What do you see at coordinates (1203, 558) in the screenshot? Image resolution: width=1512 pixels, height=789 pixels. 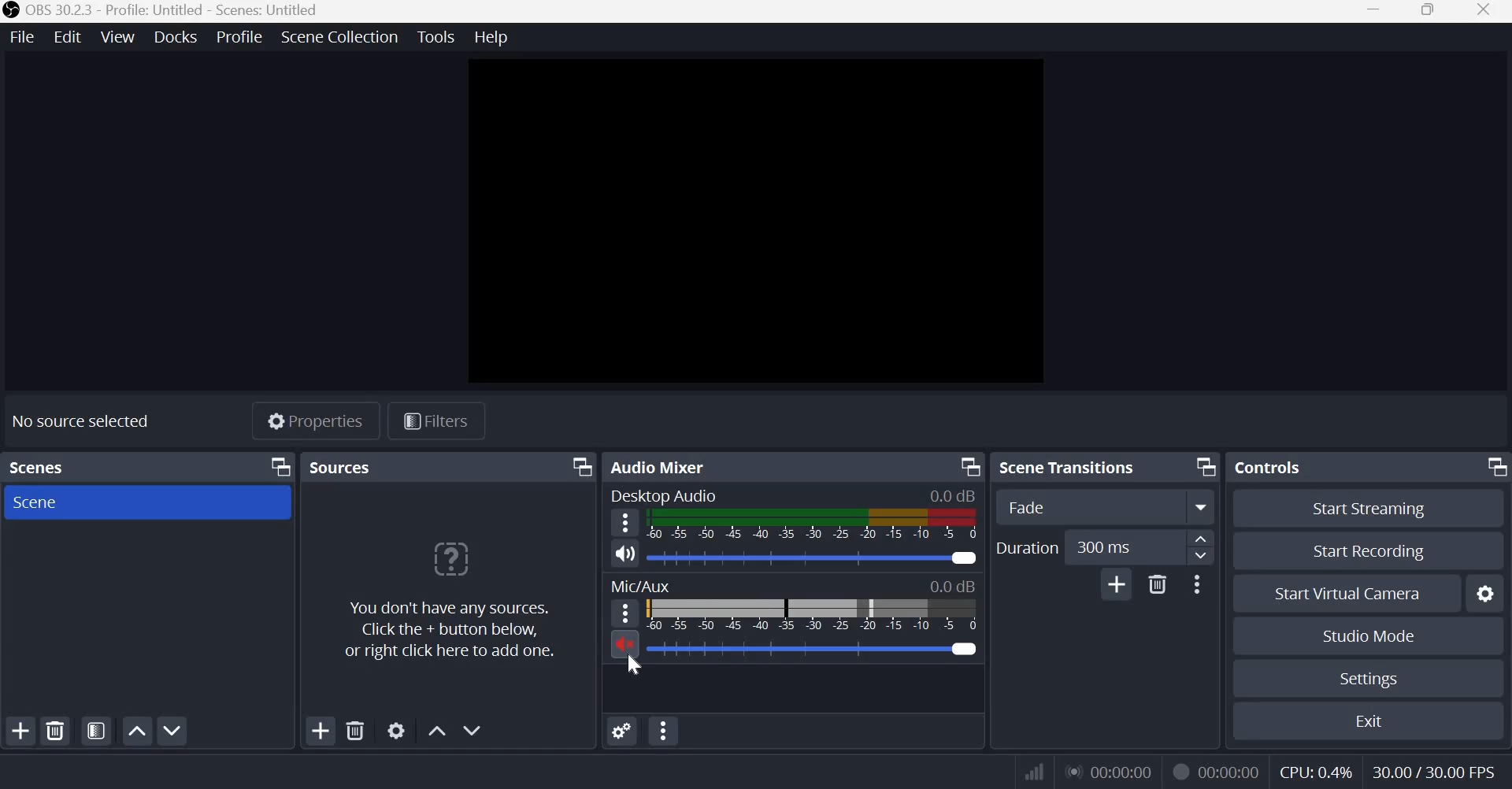 I see `Decrease` at bounding box center [1203, 558].